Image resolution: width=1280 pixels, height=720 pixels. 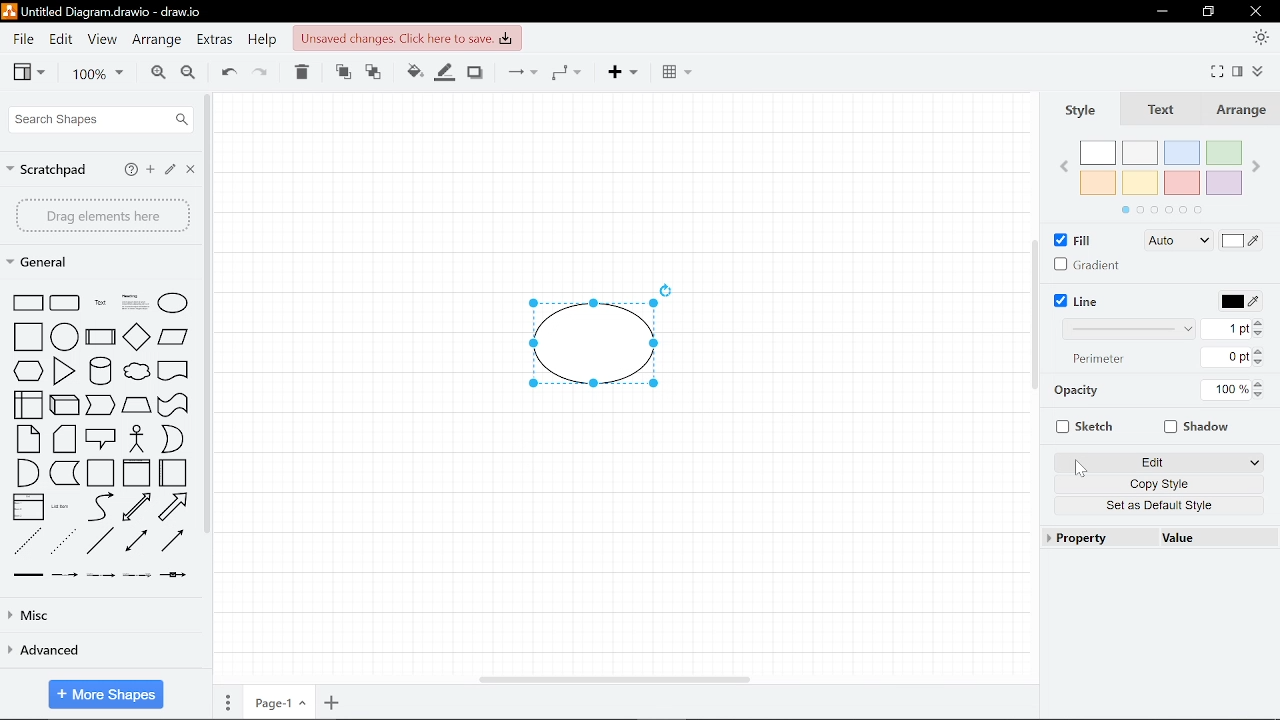 What do you see at coordinates (100, 337) in the screenshot?
I see `process` at bounding box center [100, 337].